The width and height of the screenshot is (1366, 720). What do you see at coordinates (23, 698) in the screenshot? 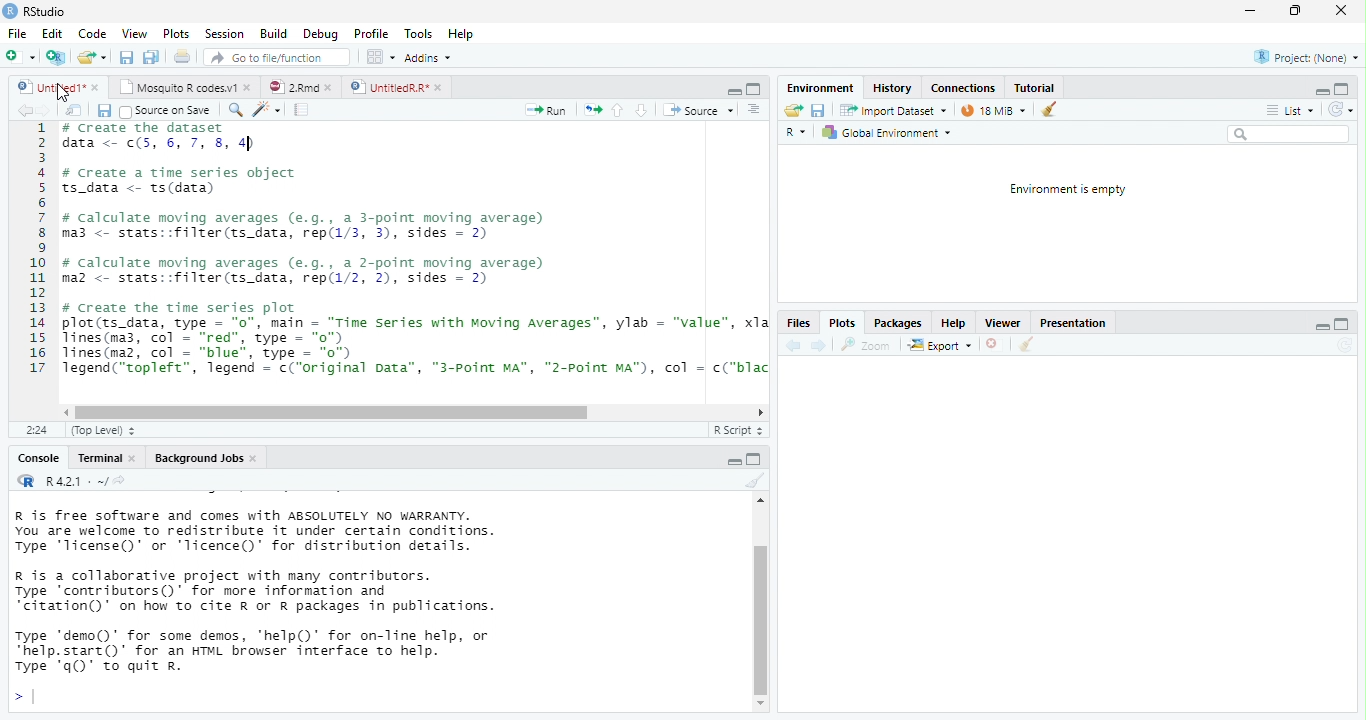
I see `>` at bounding box center [23, 698].